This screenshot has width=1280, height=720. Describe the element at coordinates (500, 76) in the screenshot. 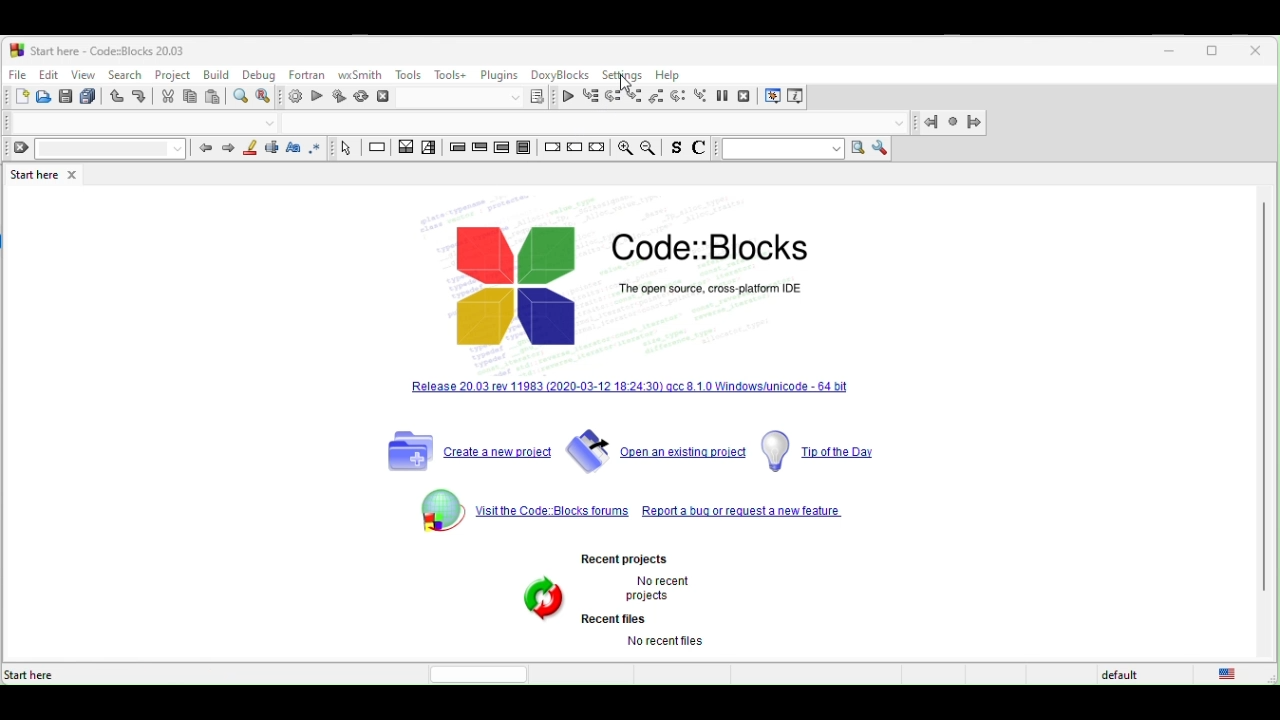

I see `plugins` at that location.